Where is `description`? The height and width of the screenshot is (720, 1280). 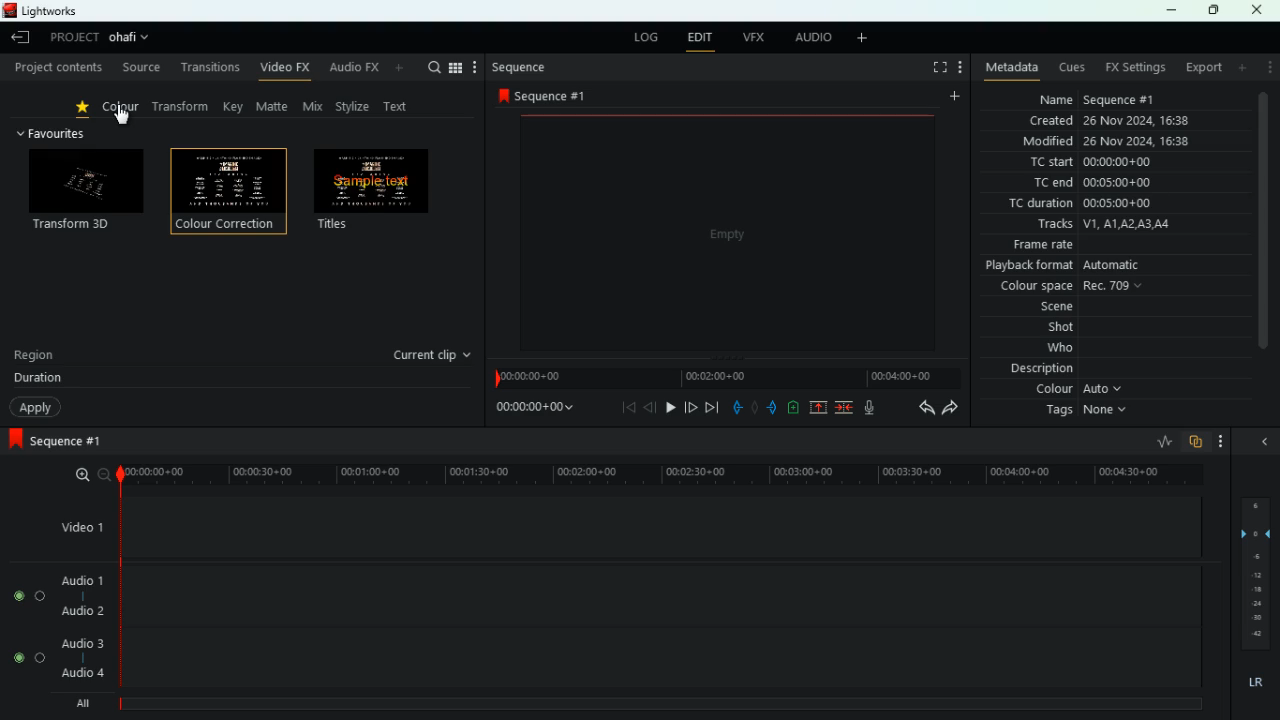 description is located at coordinates (1040, 371).